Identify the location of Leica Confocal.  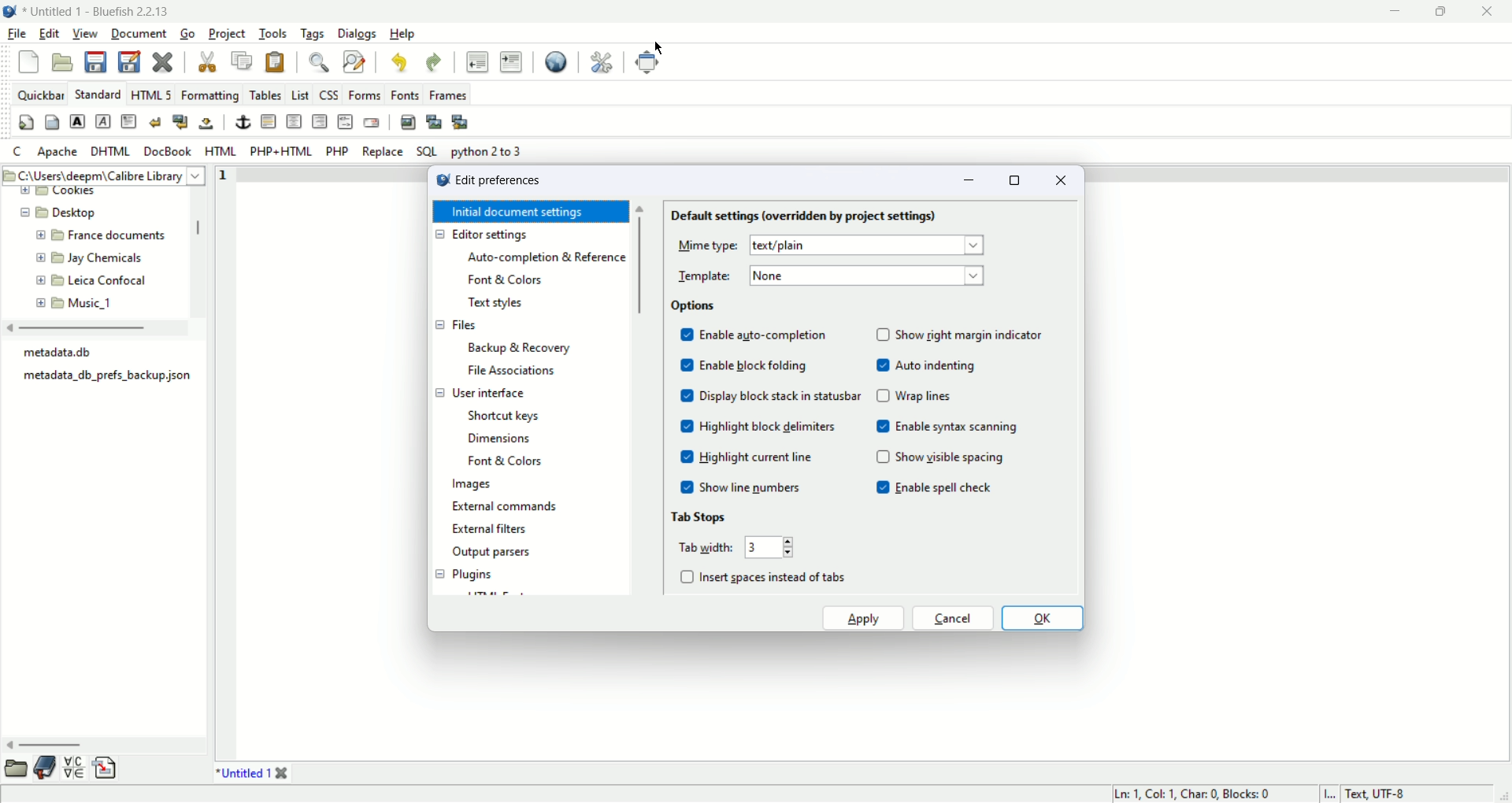
(113, 282).